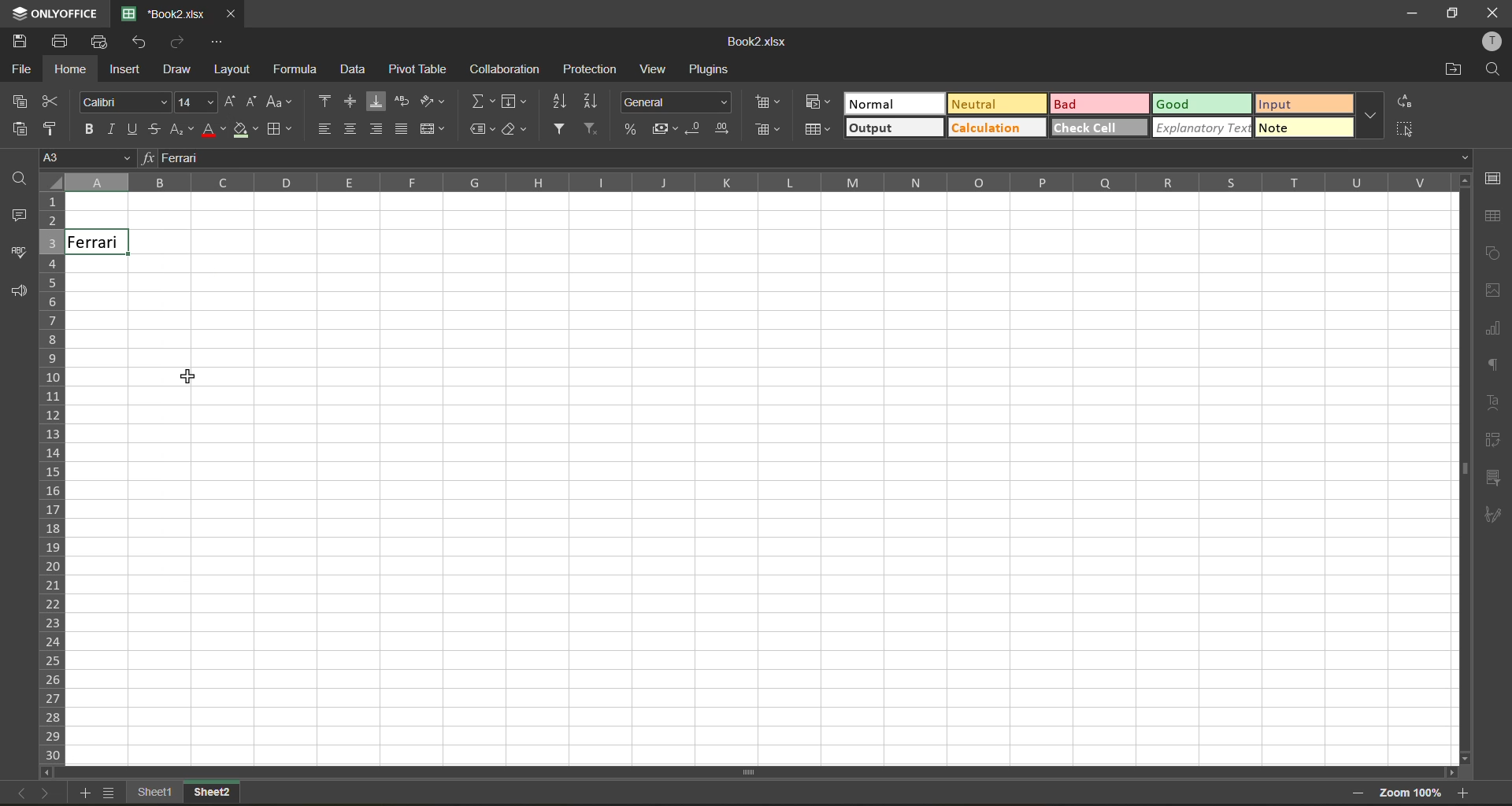 This screenshot has height=806, width=1512. I want to click on borders, so click(283, 131).